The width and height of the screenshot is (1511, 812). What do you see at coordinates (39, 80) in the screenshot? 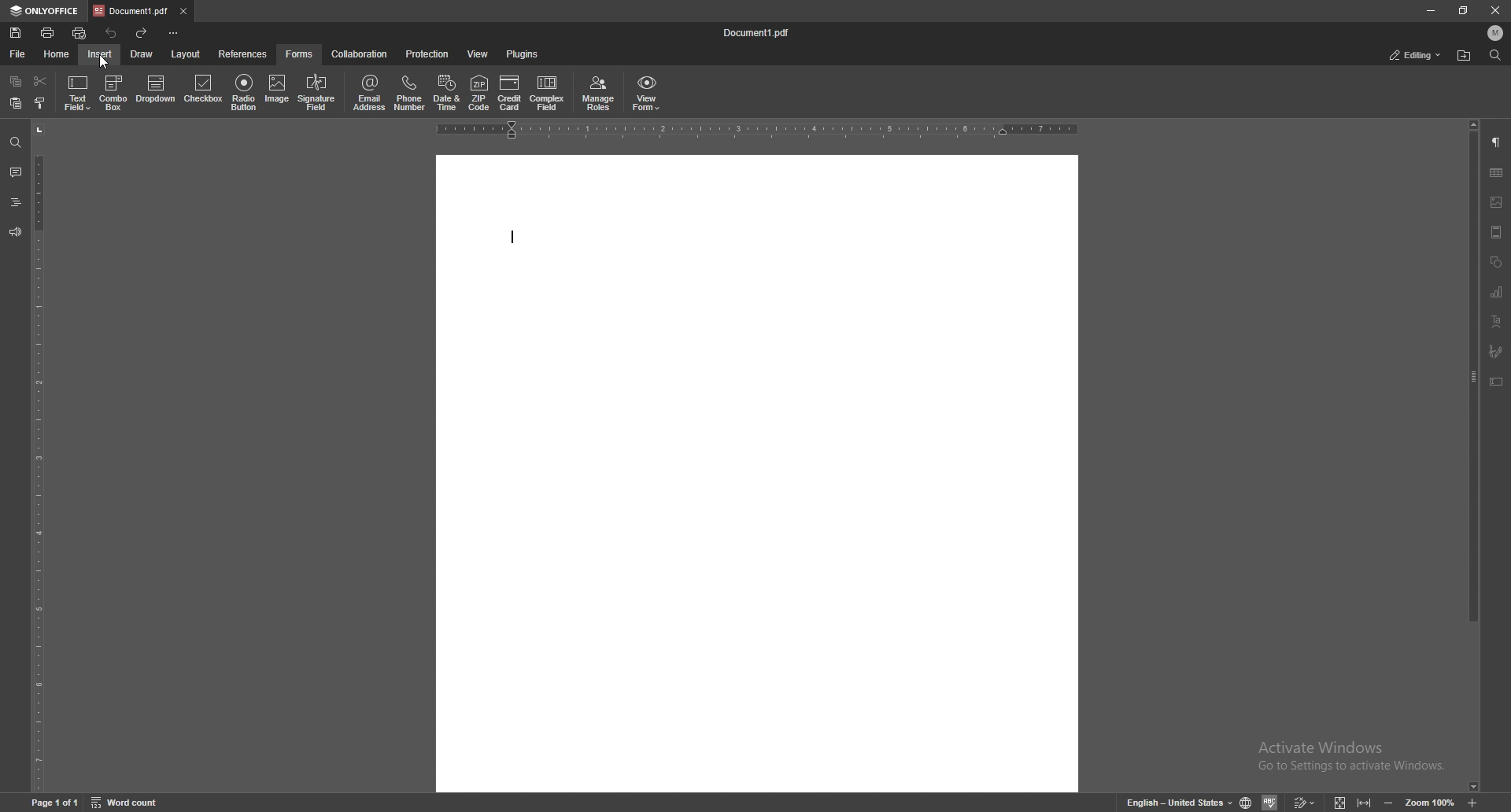
I see `cut` at bounding box center [39, 80].